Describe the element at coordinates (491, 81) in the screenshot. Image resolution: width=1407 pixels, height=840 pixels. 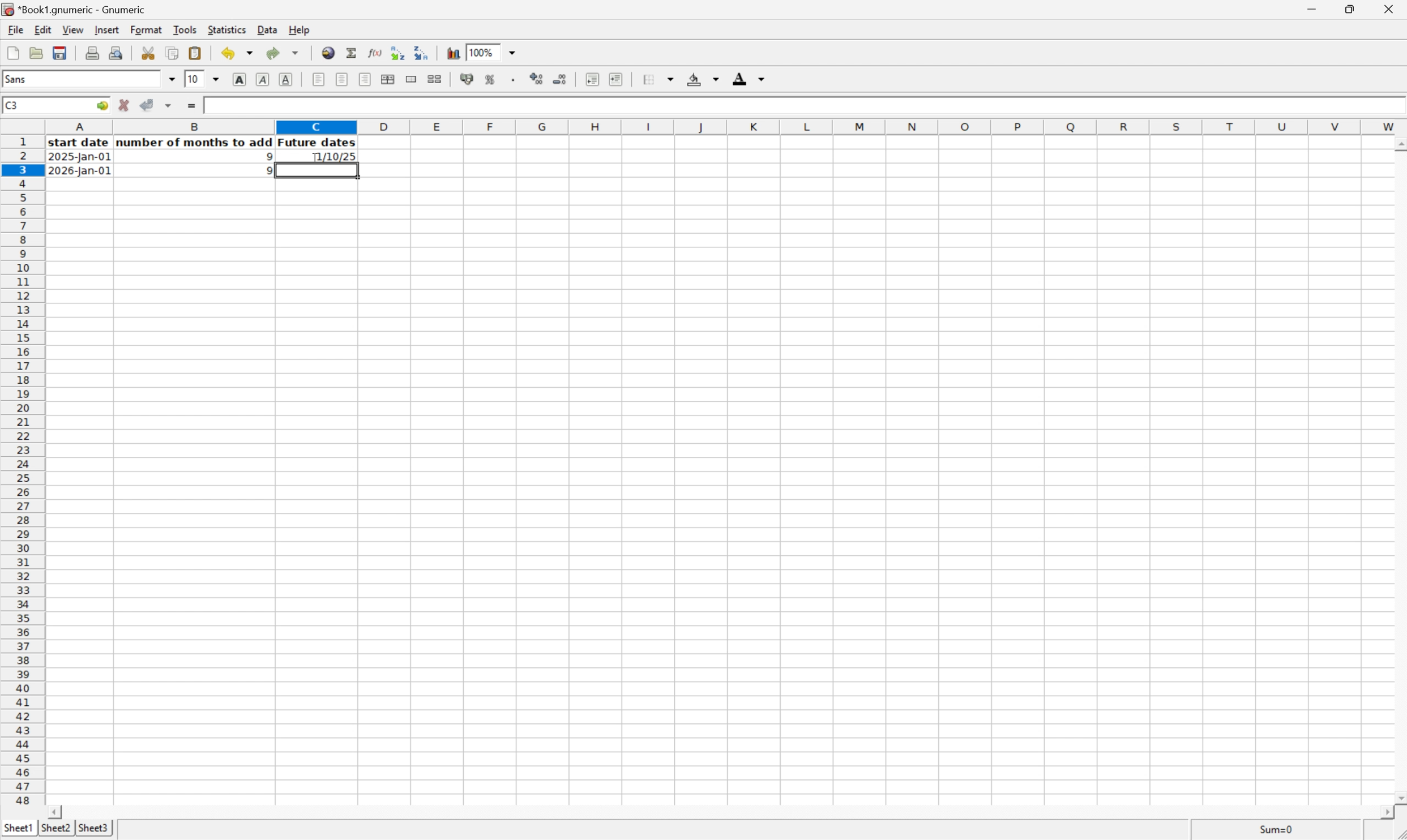
I see `Format the selection as percentage` at that location.